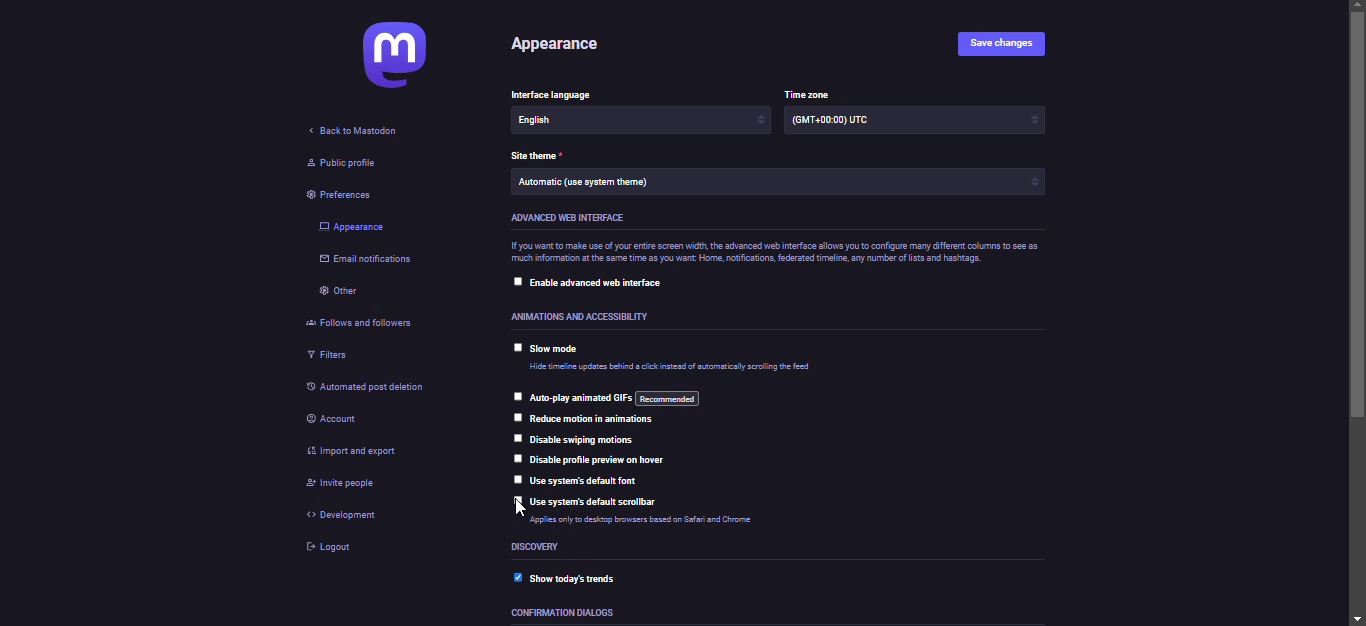 This screenshot has height=626, width=1366. What do you see at coordinates (581, 439) in the screenshot?
I see `disable swiping motions` at bounding box center [581, 439].